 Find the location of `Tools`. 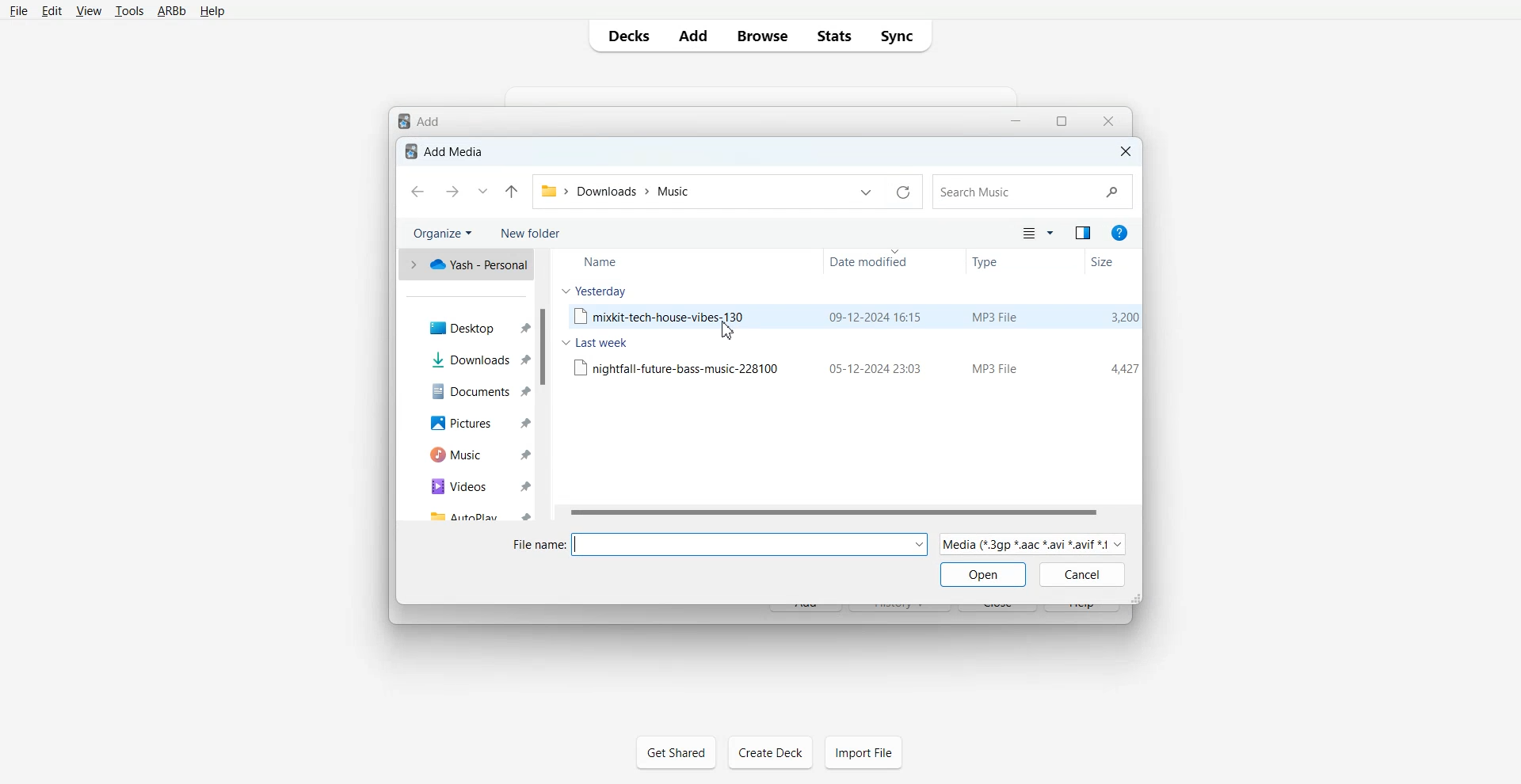

Tools is located at coordinates (127, 10).